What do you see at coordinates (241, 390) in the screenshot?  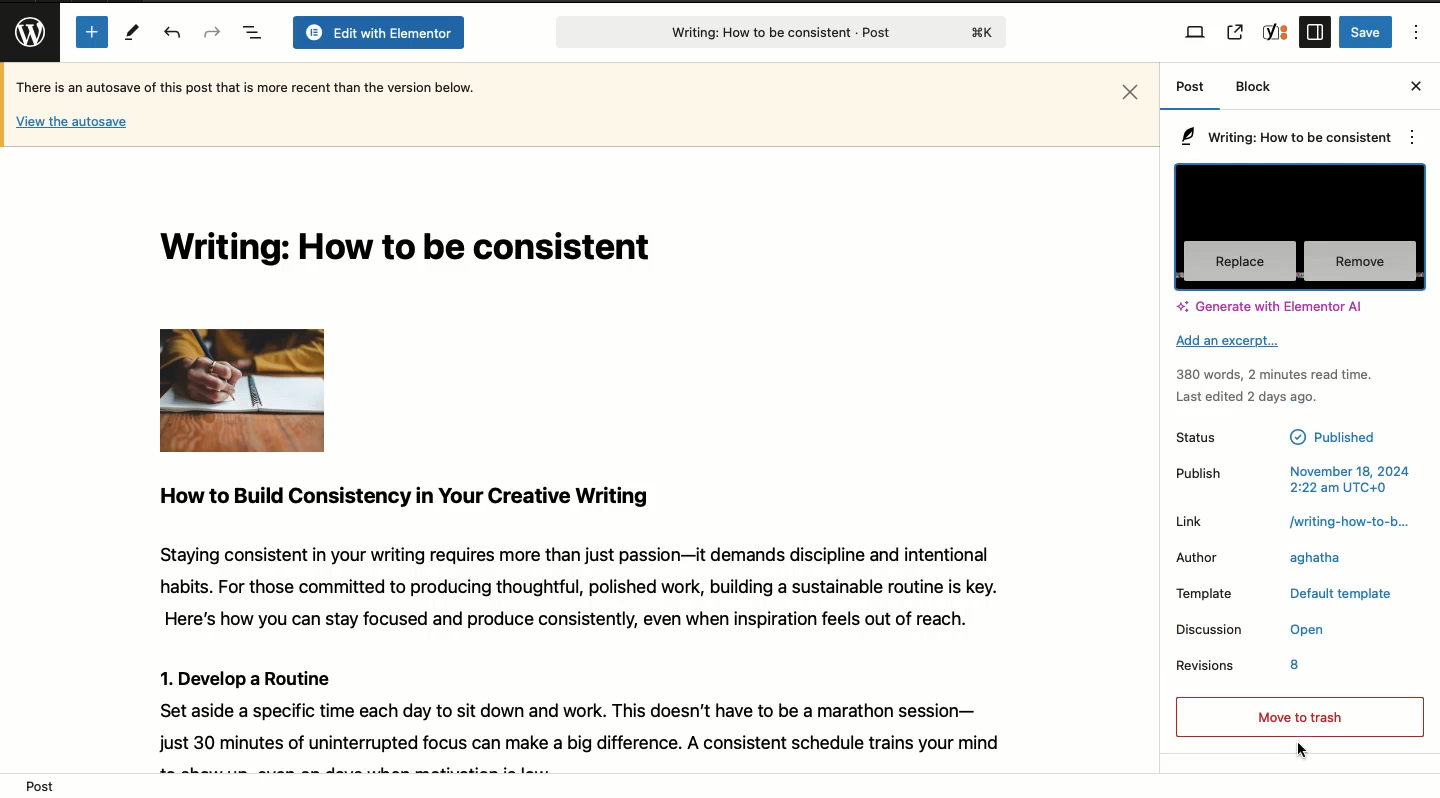 I see `Image` at bounding box center [241, 390].